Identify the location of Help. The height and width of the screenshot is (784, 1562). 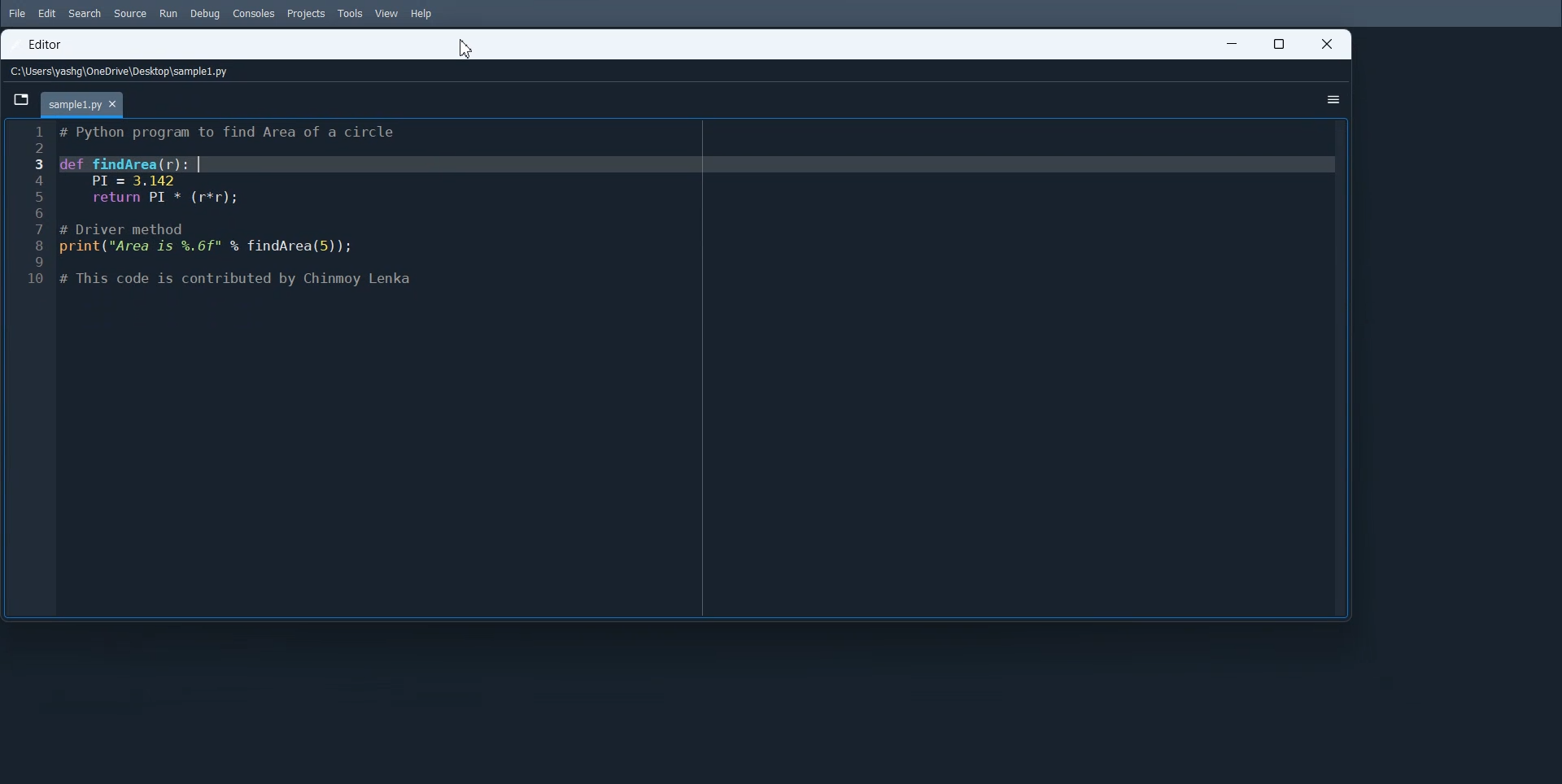
(422, 15).